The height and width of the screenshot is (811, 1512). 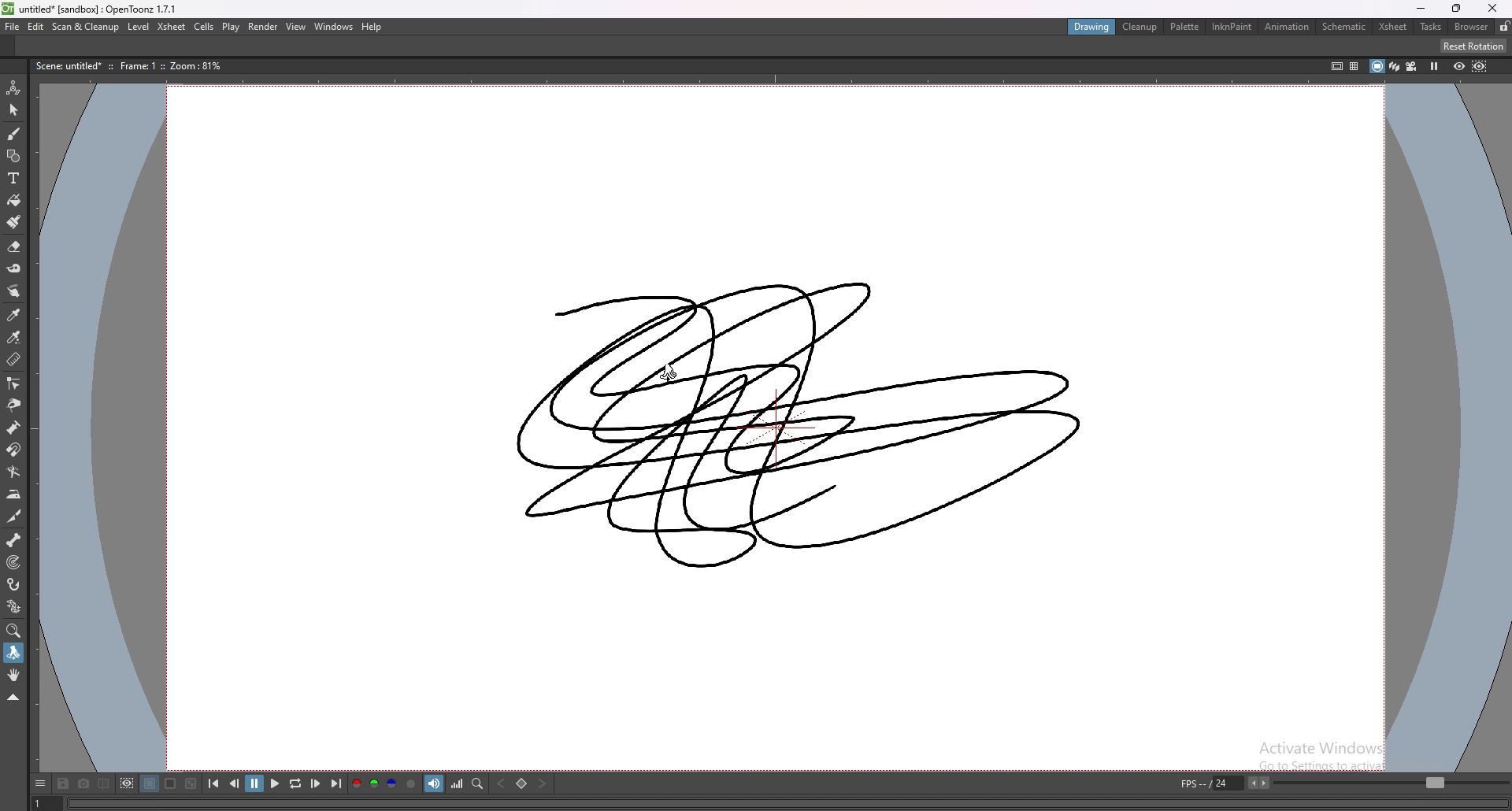 I want to click on xsheet, so click(x=1395, y=27).